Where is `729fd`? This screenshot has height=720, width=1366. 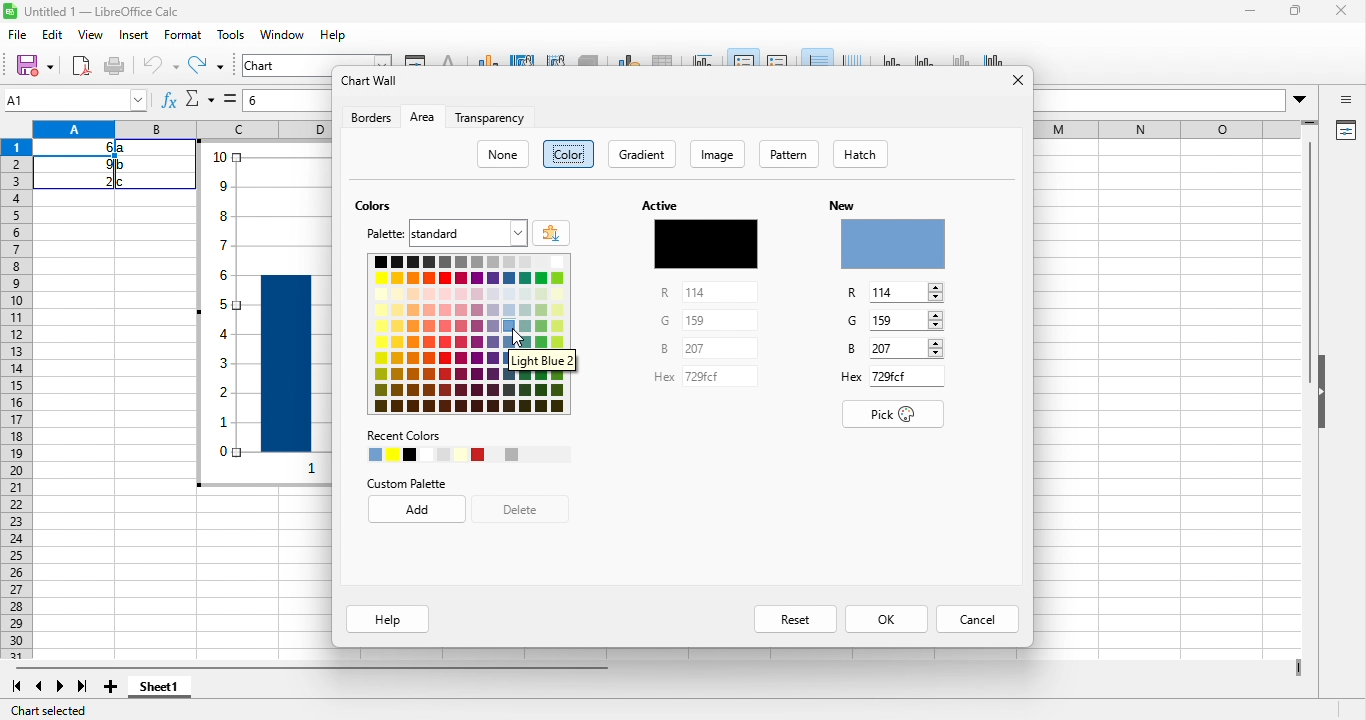
729fd is located at coordinates (908, 377).